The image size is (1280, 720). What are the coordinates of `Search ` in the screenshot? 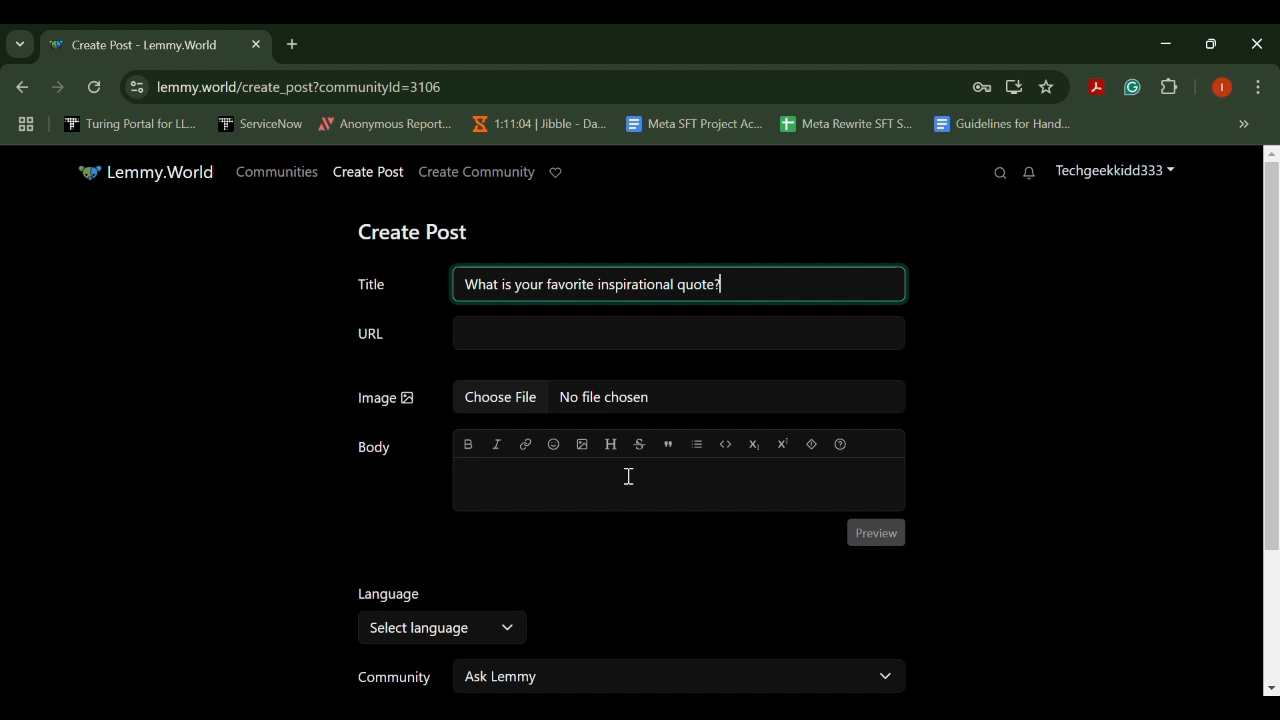 It's located at (1000, 173).